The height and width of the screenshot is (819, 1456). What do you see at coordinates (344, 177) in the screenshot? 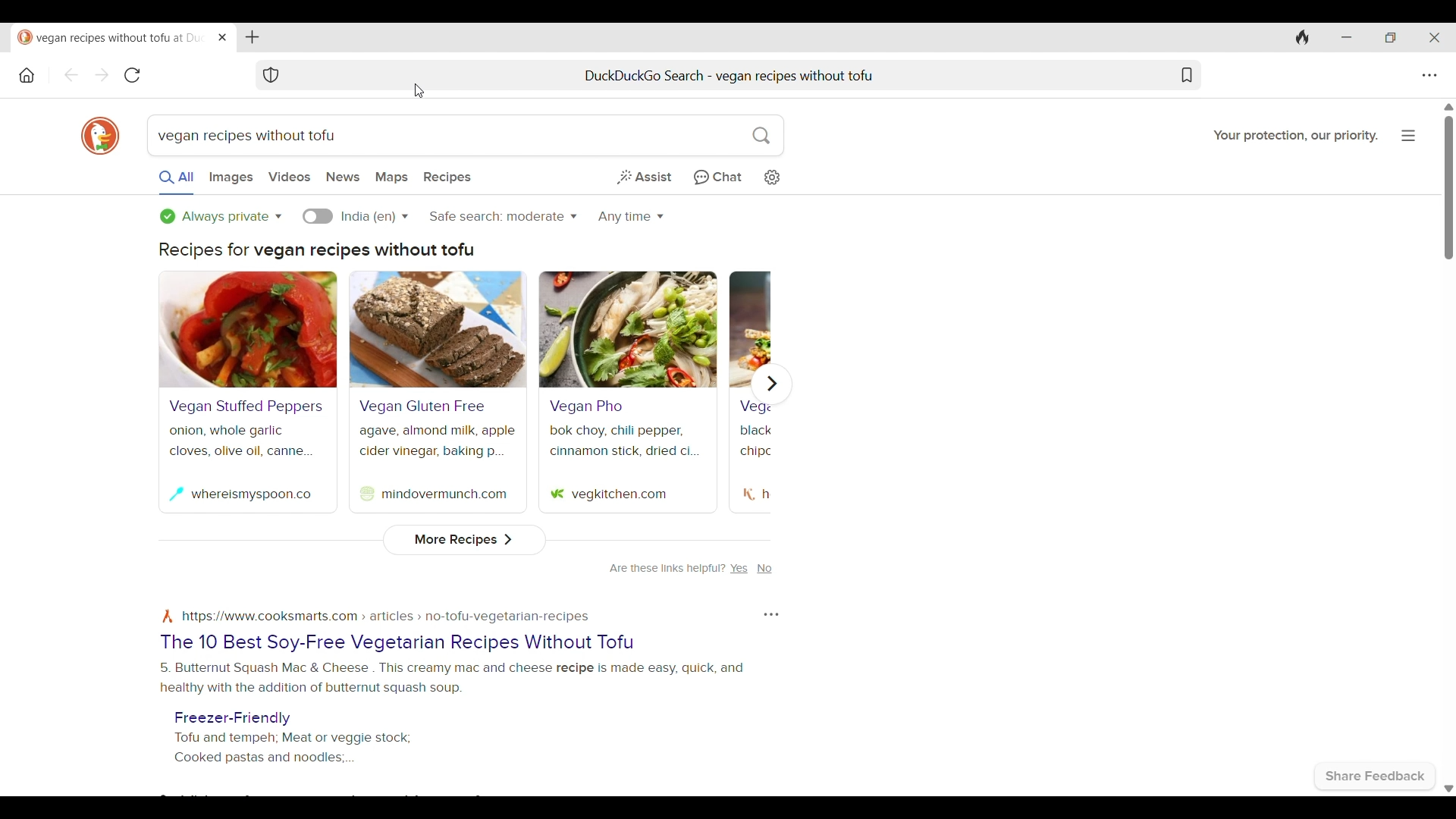
I see `Search news` at bounding box center [344, 177].